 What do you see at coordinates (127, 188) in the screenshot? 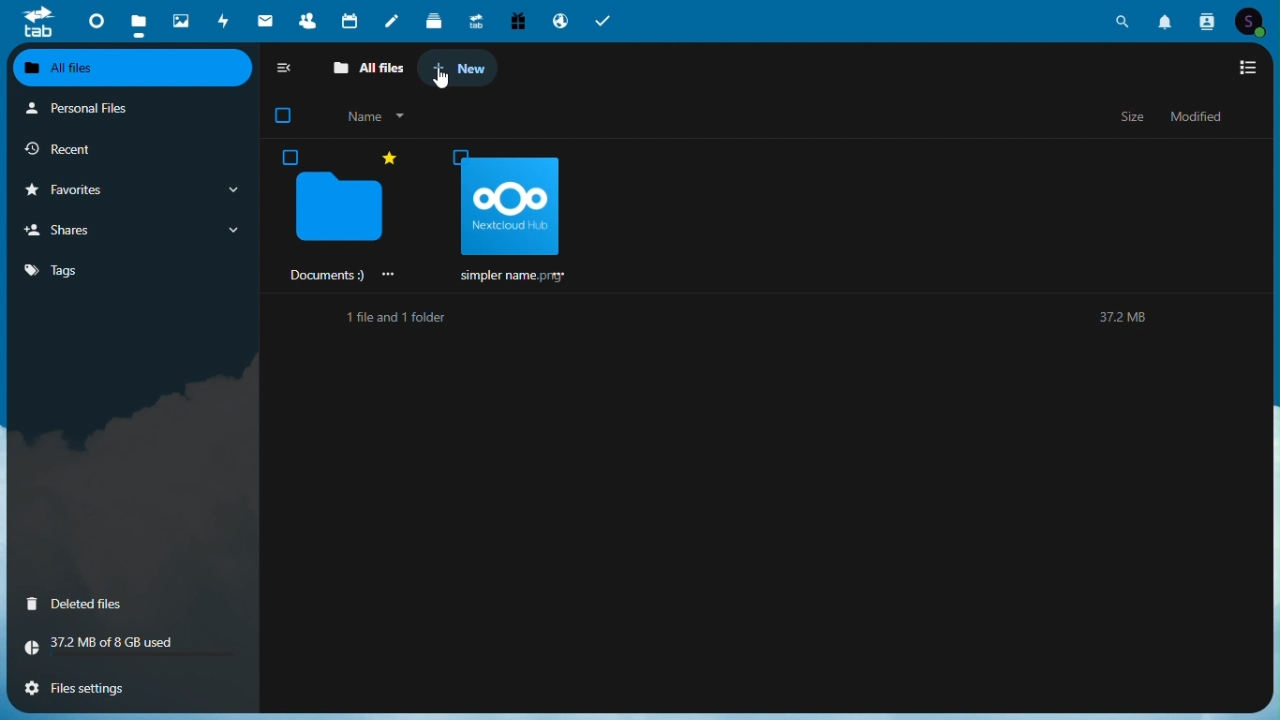
I see `Favourite` at bounding box center [127, 188].